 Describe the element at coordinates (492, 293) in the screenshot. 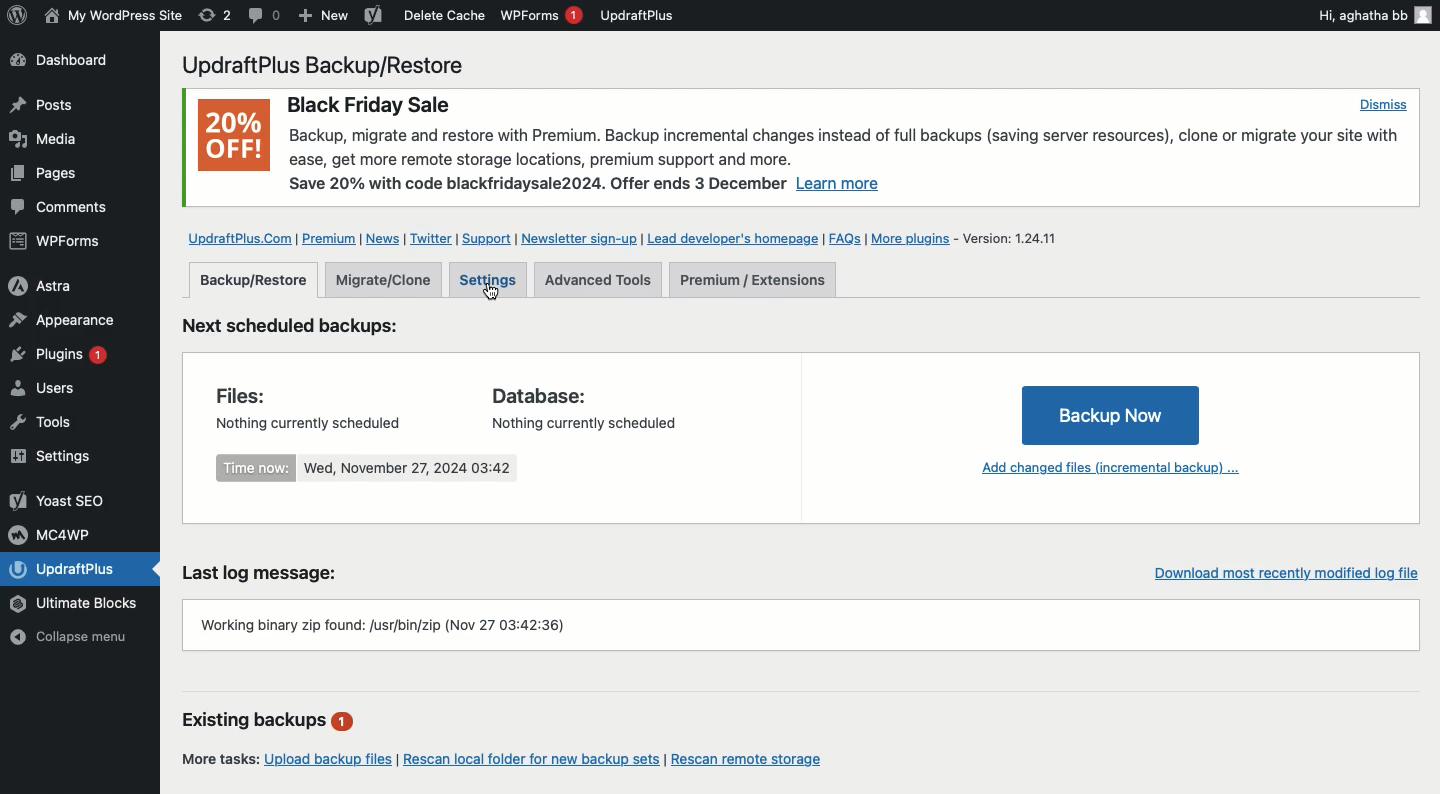

I see `Cursor` at that location.